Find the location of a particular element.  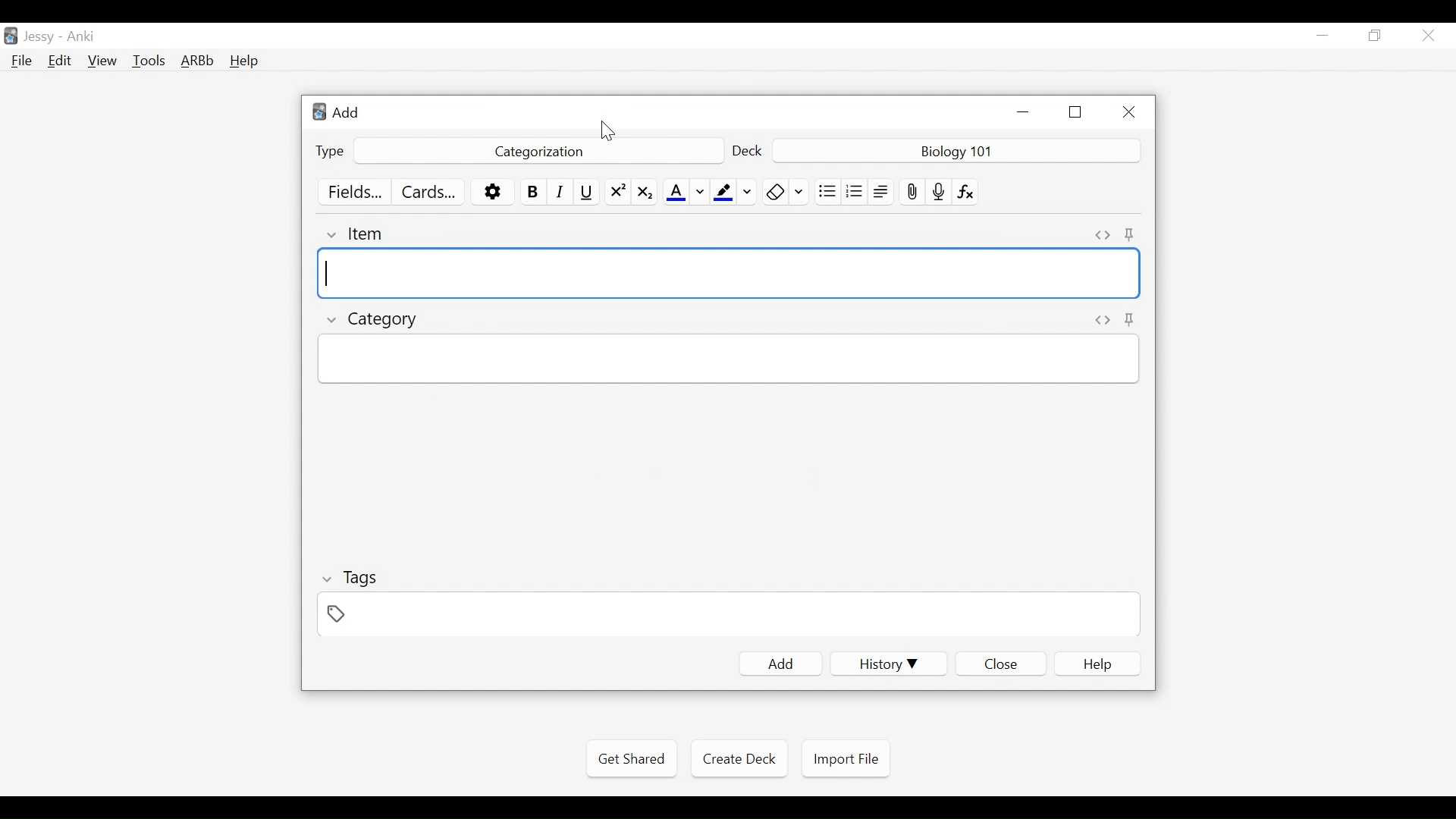

Text Highlighting color is located at coordinates (734, 192).